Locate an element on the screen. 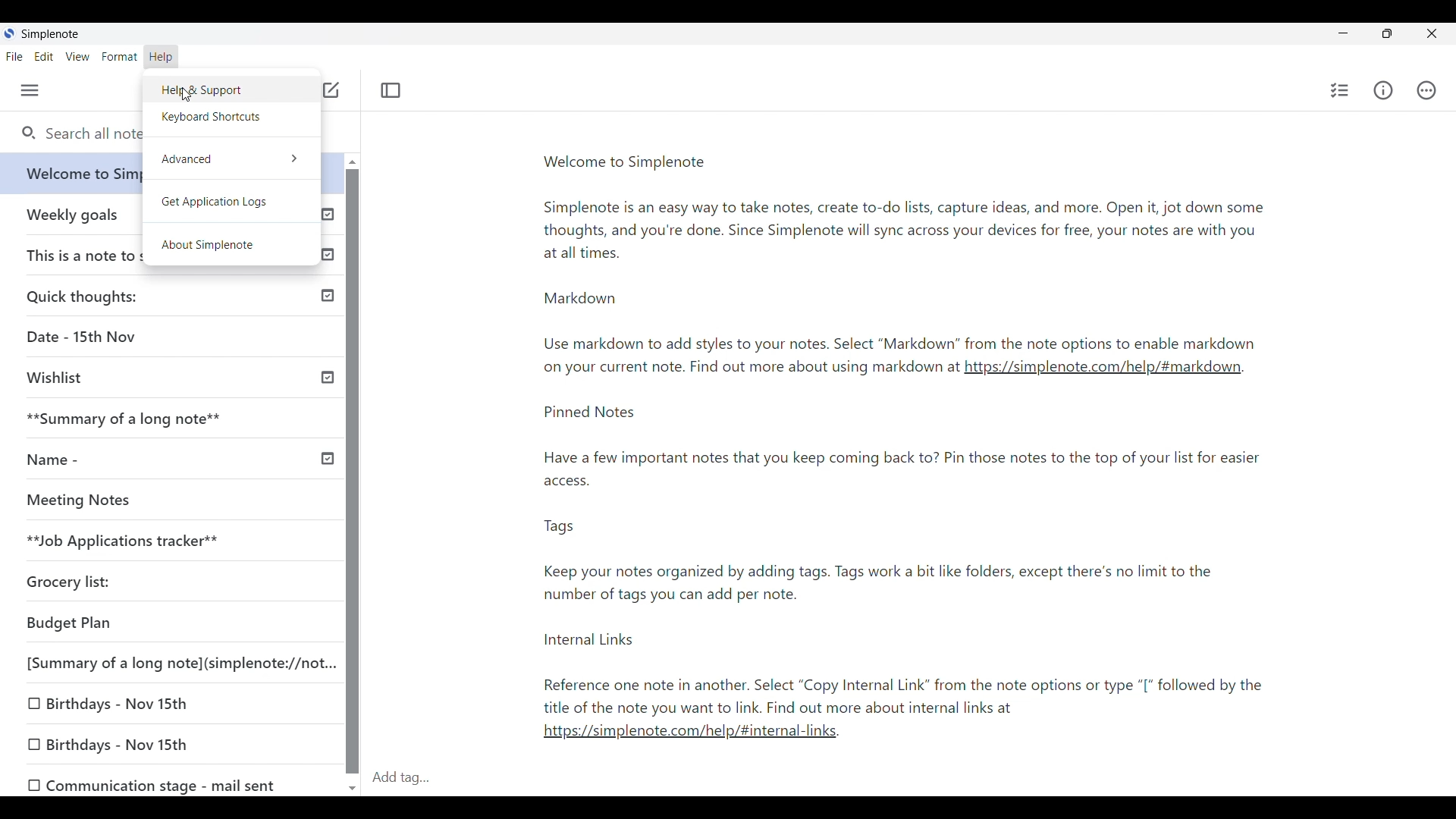  Published is located at coordinates (328, 375).